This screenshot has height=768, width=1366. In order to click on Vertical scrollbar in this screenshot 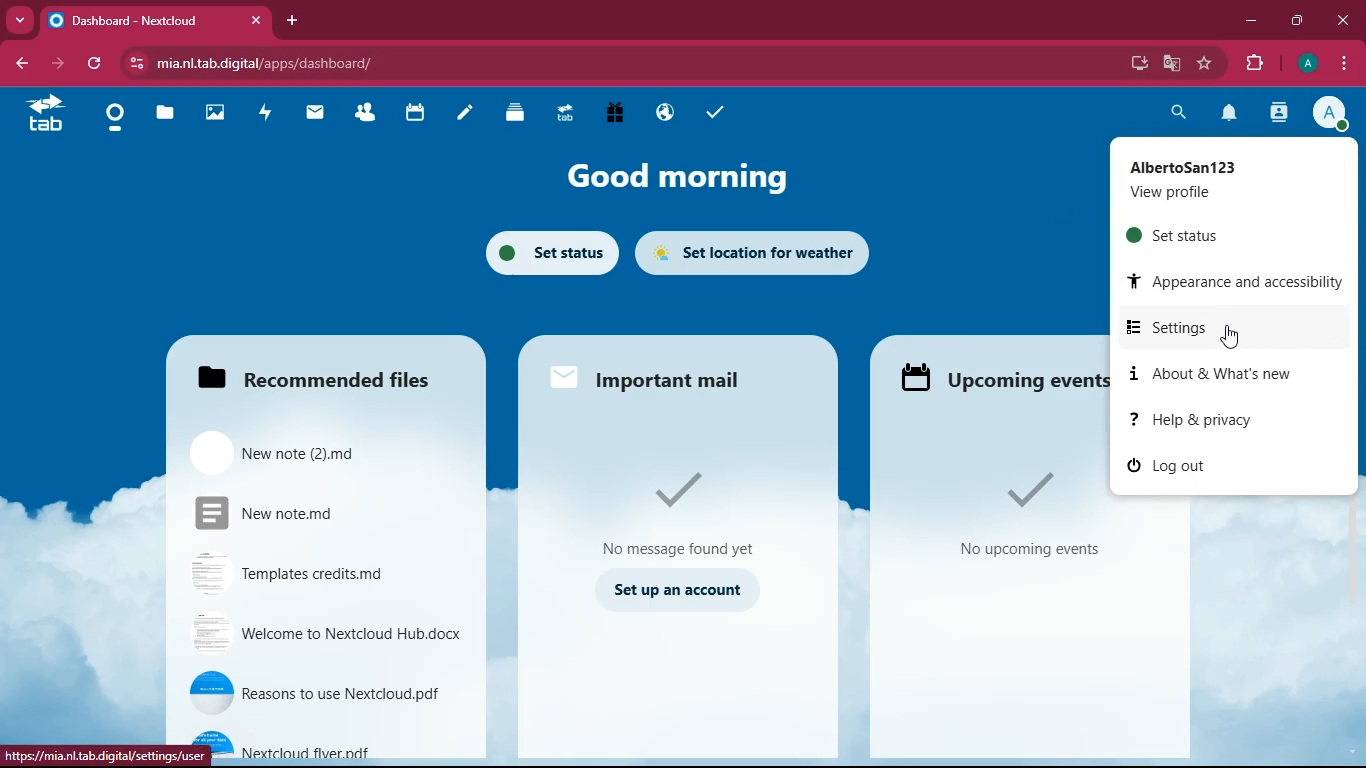, I will do `click(1354, 377)`.